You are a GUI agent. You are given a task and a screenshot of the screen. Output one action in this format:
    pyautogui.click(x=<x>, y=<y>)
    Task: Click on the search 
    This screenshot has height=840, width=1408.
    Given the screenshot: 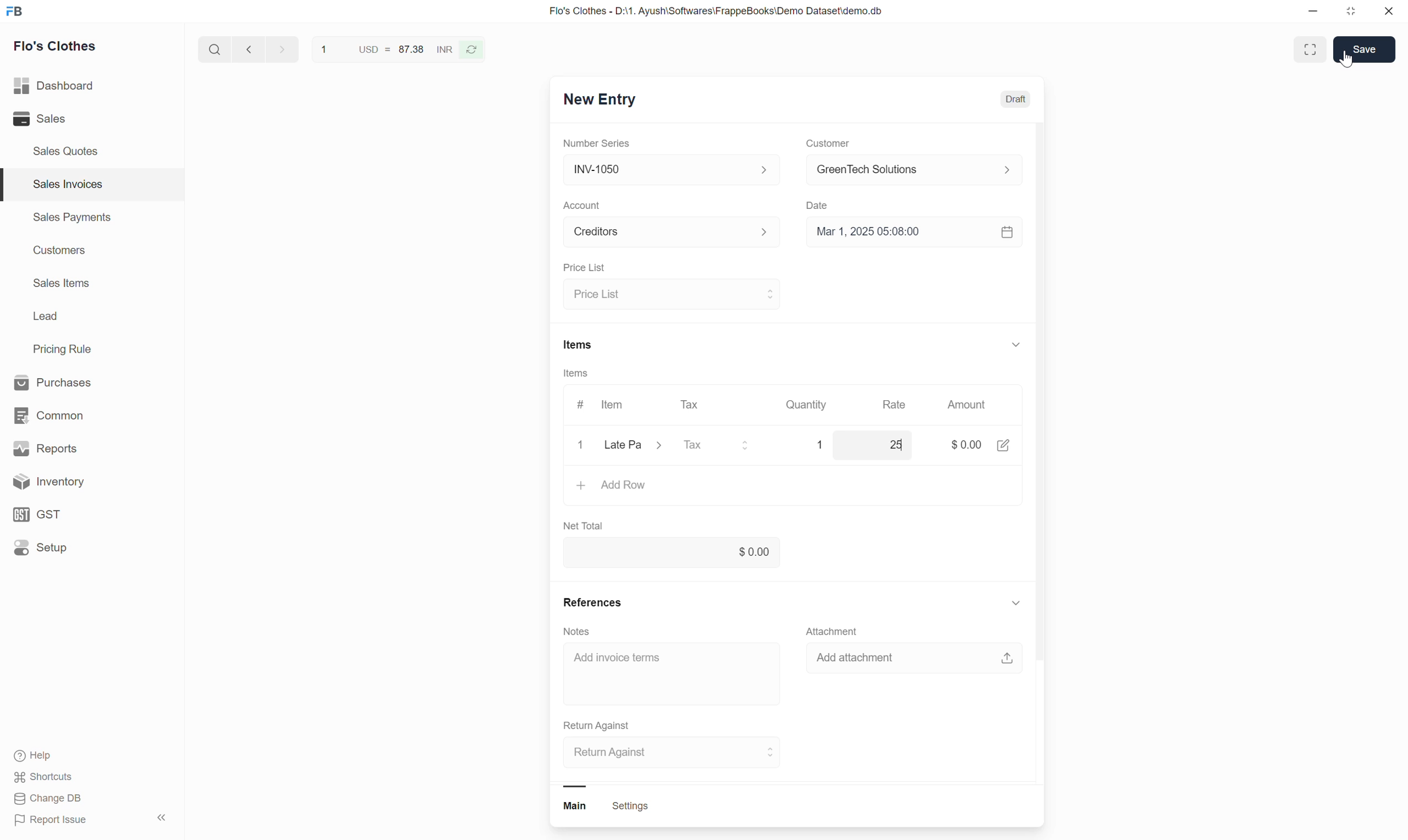 What is the action you would take?
    pyautogui.click(x=212, y=52)
    